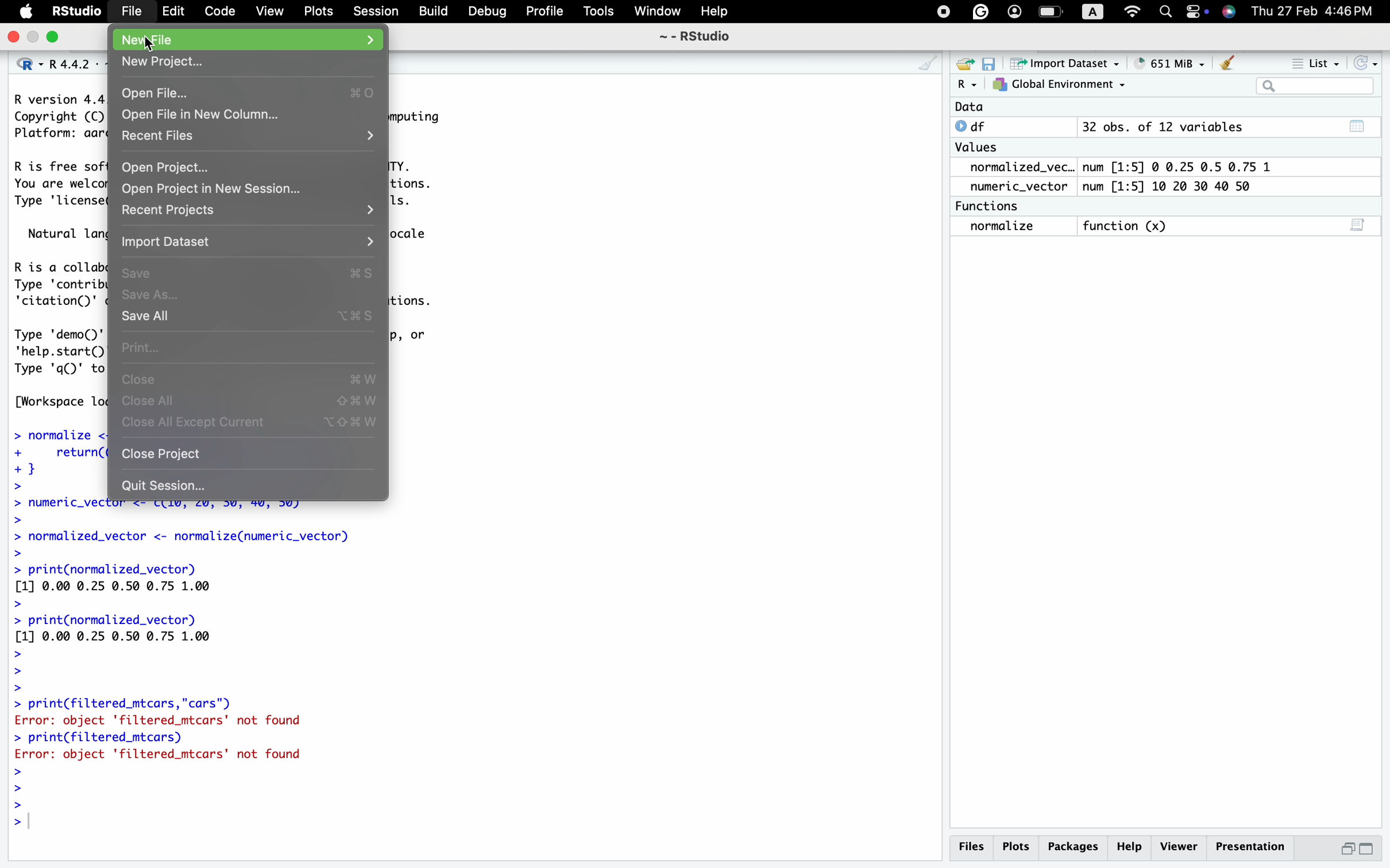  What do you see at coordinates (1195, 13) in the screenshot?
I see `permissions` at bounding box center [1195, 13].